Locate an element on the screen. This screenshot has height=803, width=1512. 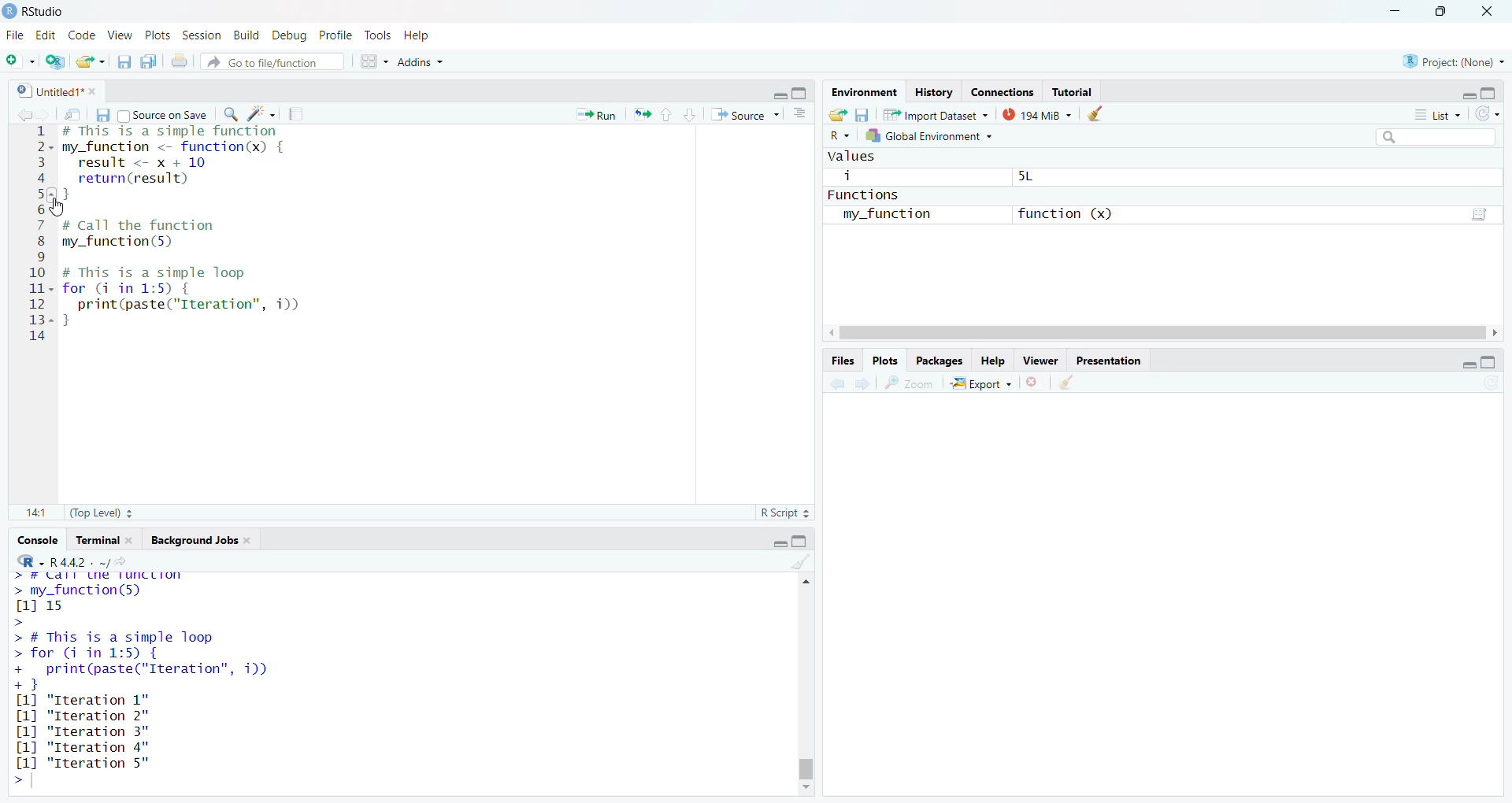
move up is located at coordinates (803, 583).